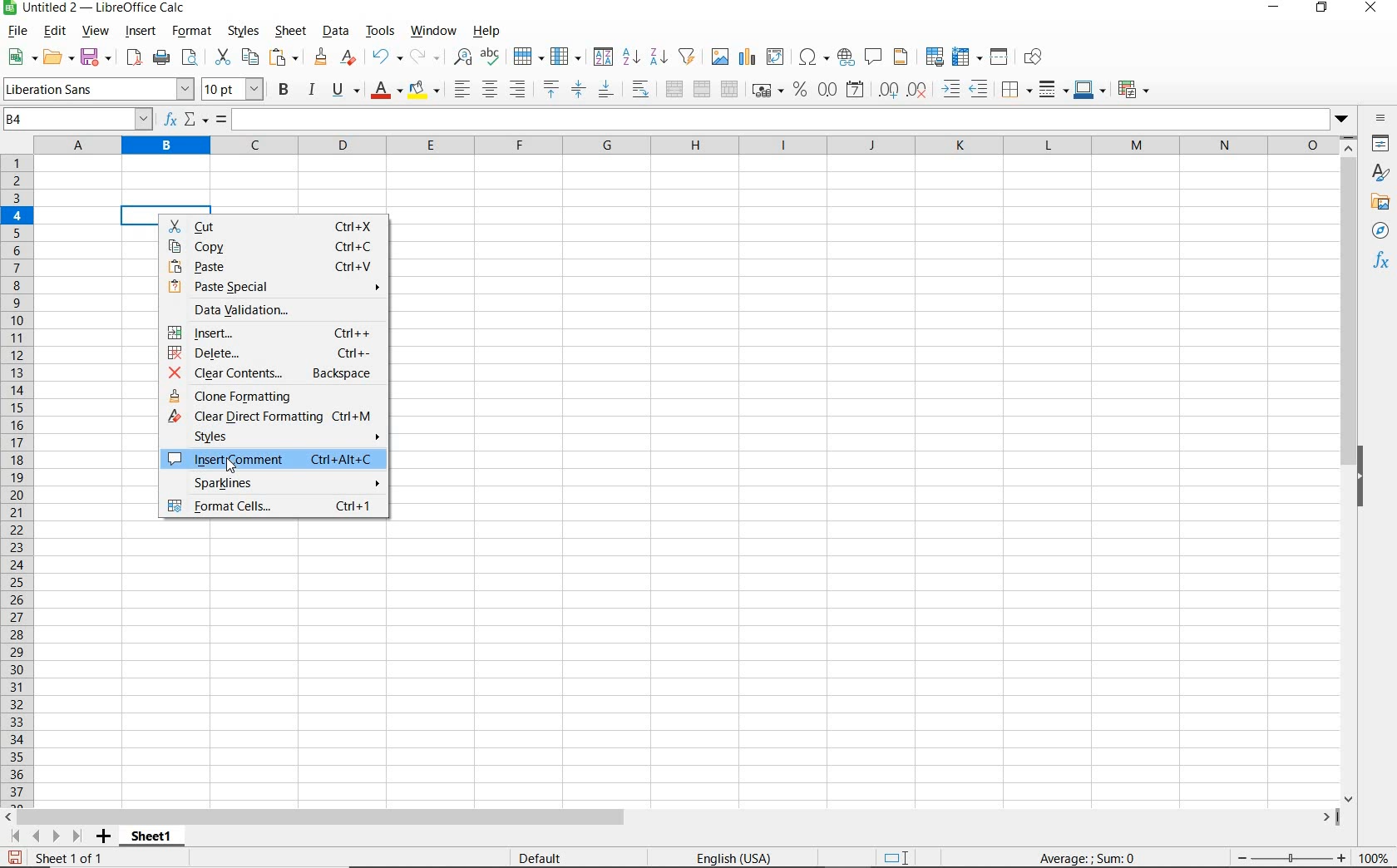 The width and height of the screenshot is (1397, 868). Describe the element at coordinates (273, 509) in the screenshot. I see `format cells` at that location.